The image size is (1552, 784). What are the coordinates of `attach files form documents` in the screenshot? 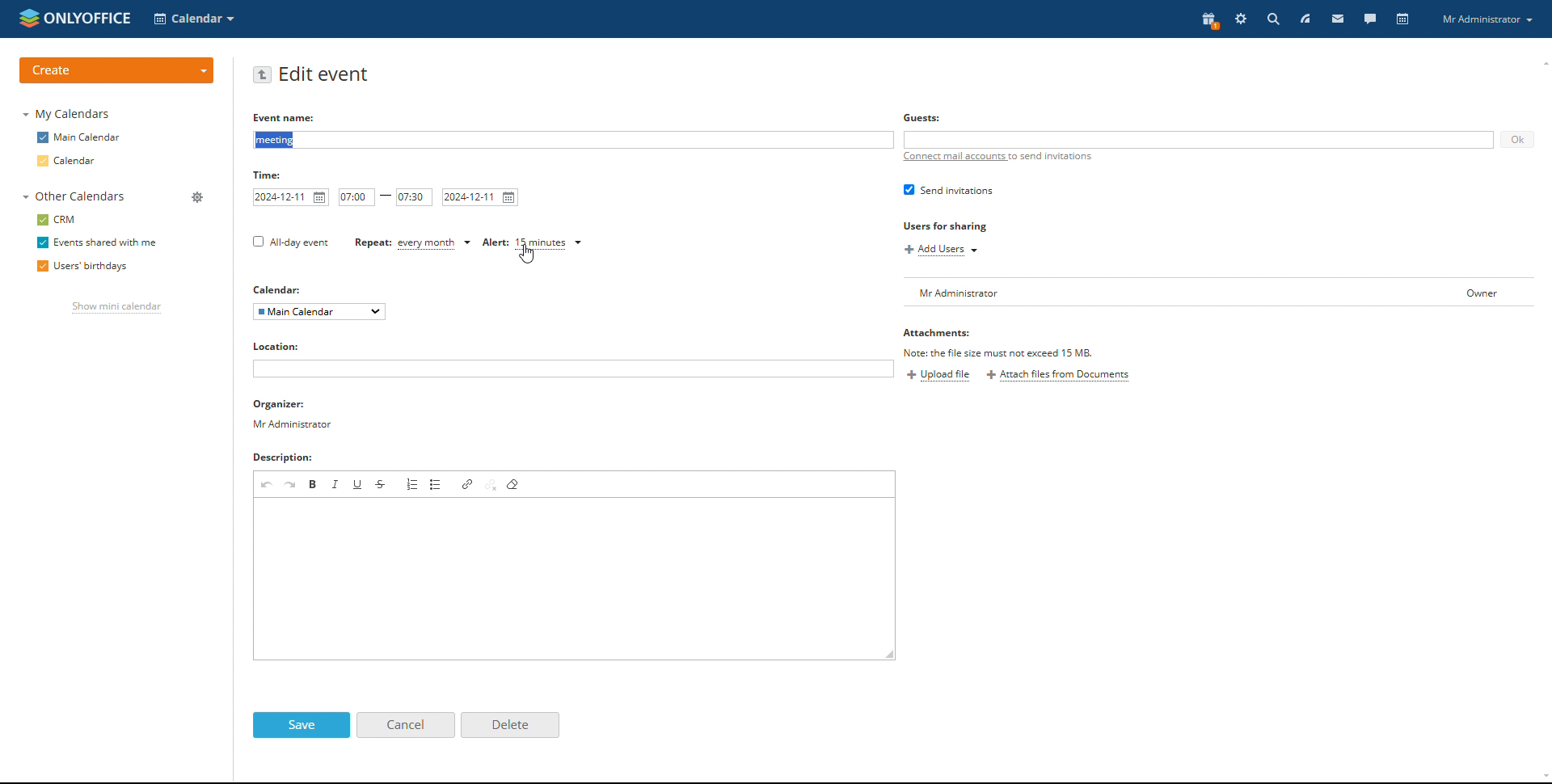 It's located at (1058, 377).